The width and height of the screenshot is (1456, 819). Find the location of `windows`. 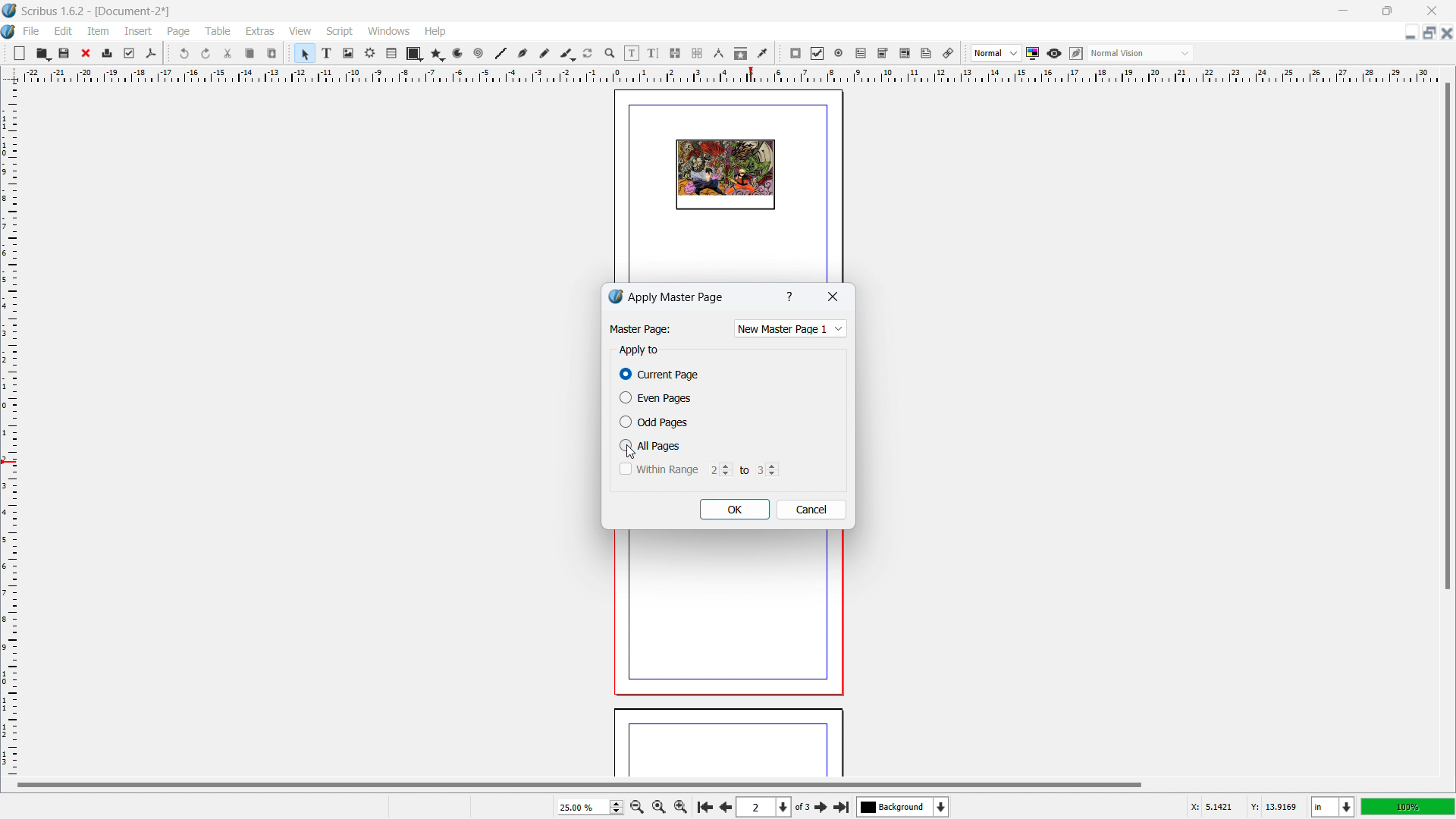

windows is located at coordinates (390, 31).